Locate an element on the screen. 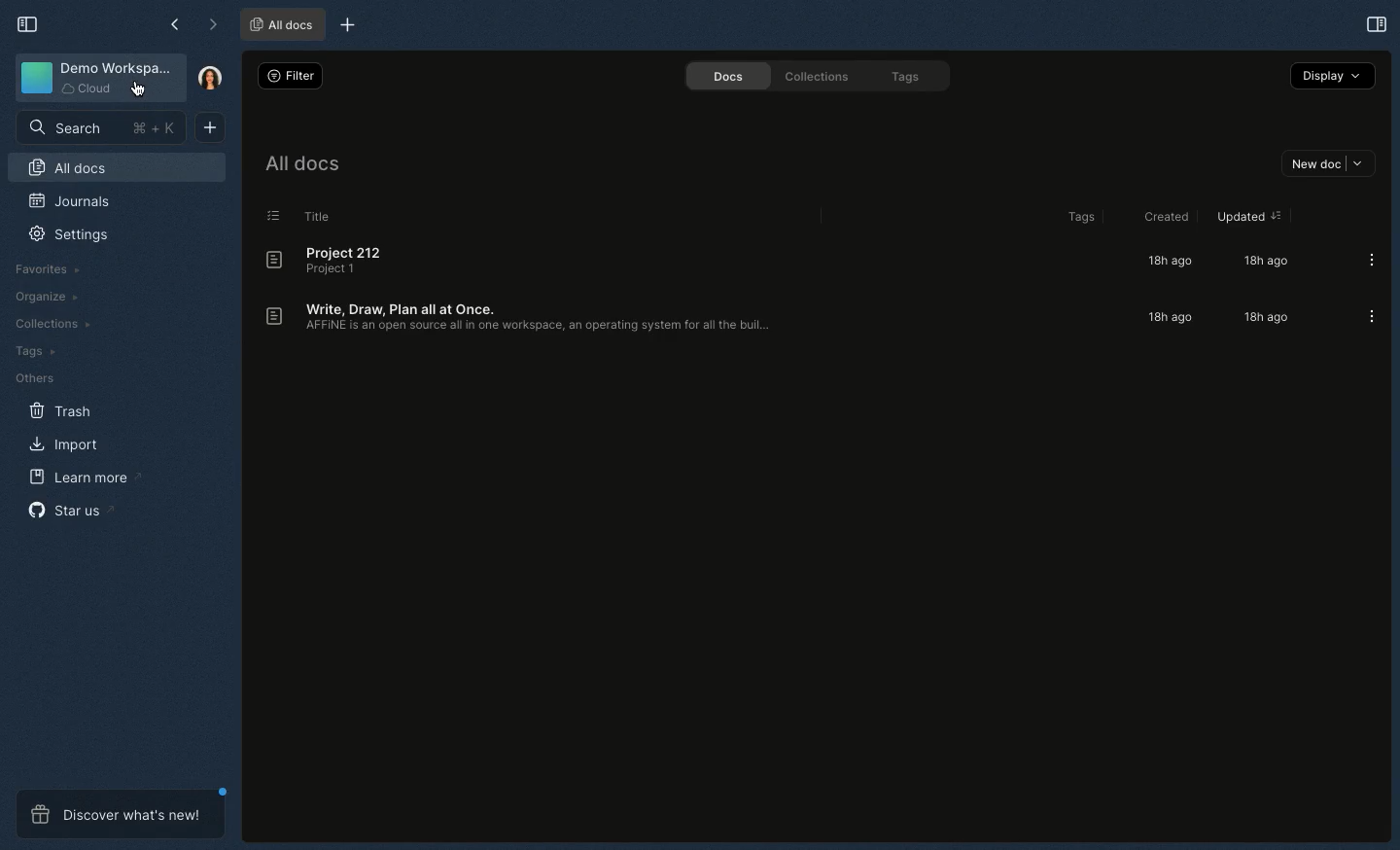 The width and height of the screenshot is (1400, 850). Settings is located at coordinates (64, 234).